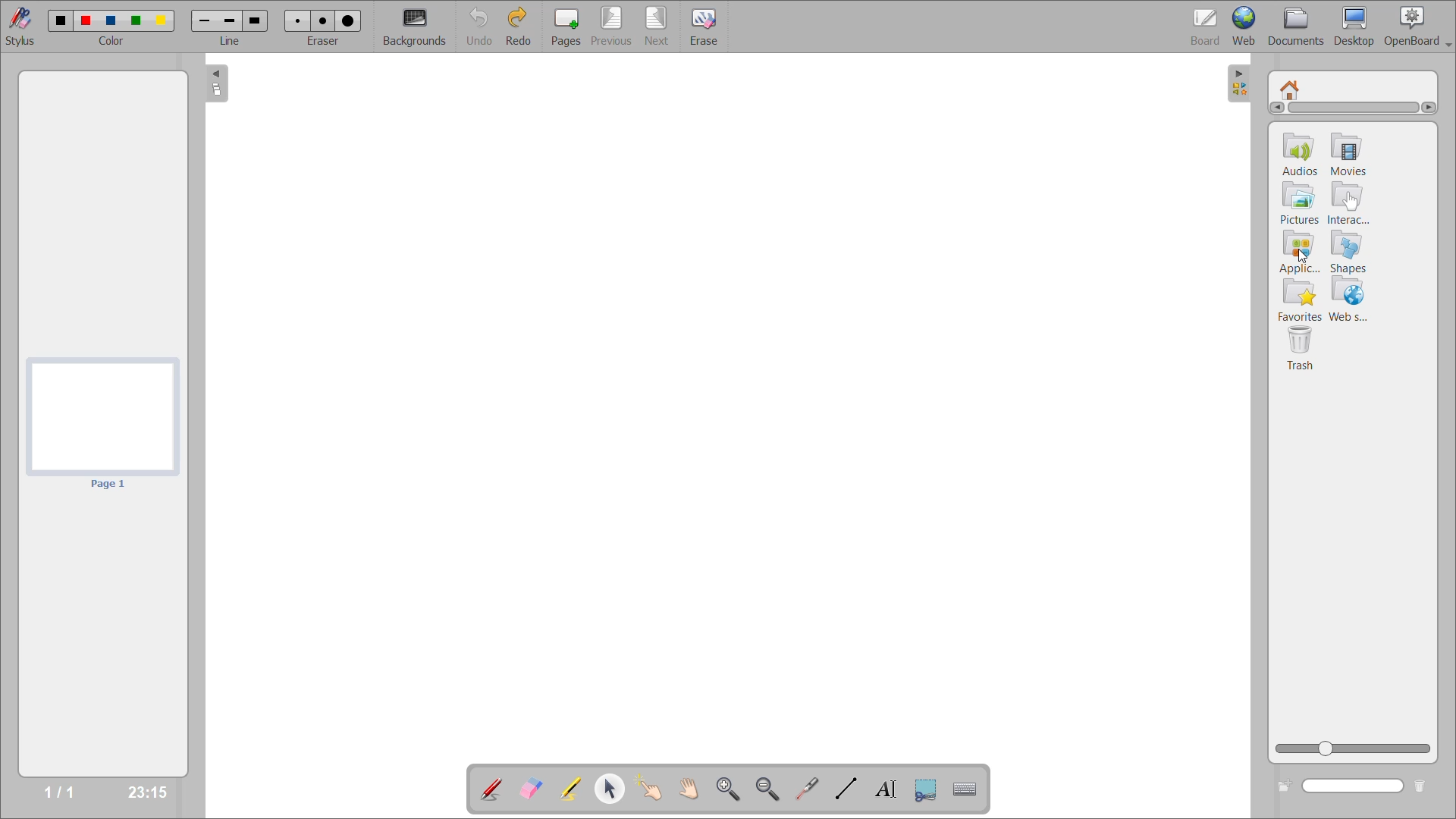 This screenshot has height=819, width=1456. What do you see at coordinates (110, 41) in the screenshot?
I see `color` at bounding box center [110, 41].